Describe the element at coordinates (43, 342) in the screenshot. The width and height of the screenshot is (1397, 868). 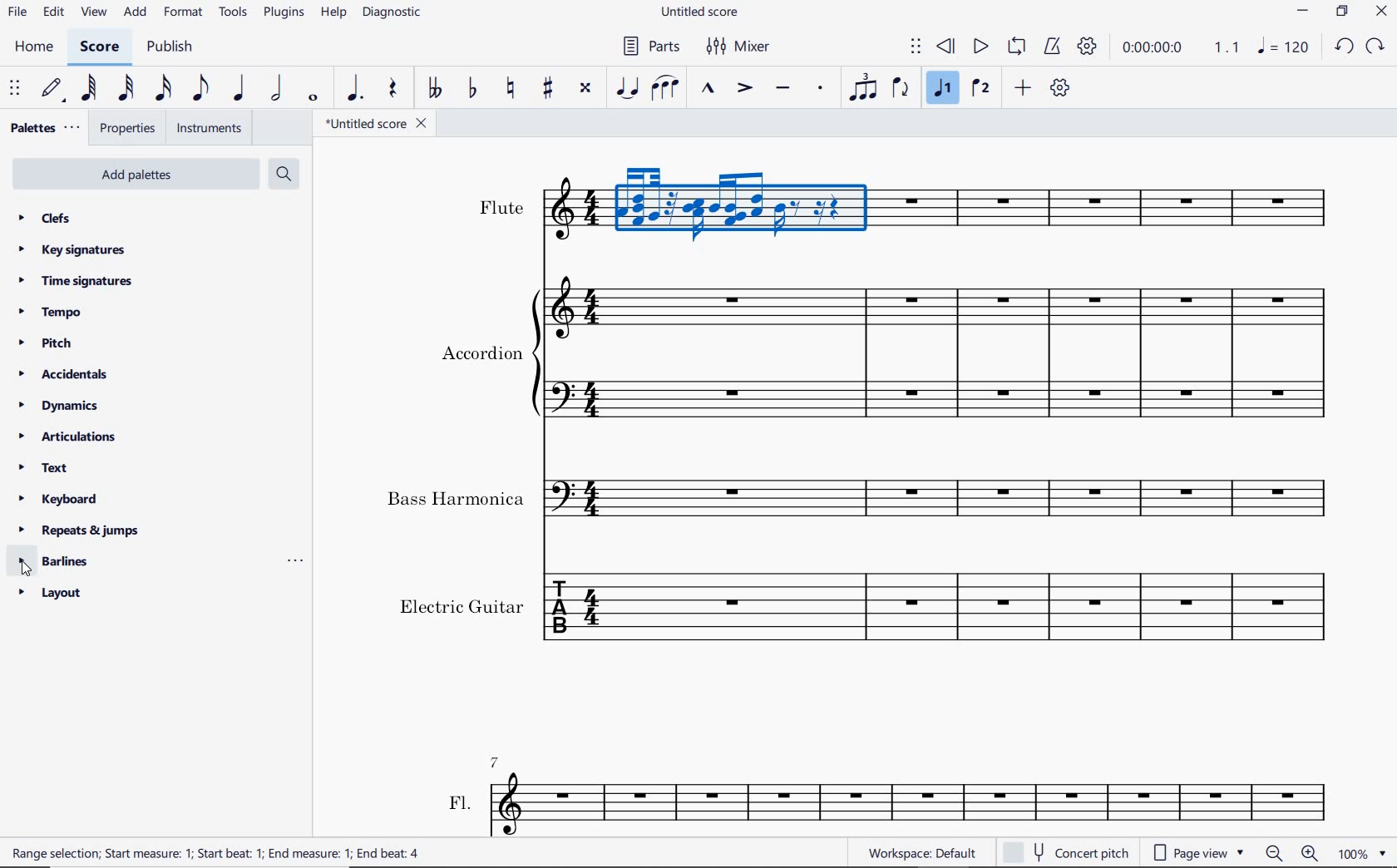
I see `pitch` at that location.